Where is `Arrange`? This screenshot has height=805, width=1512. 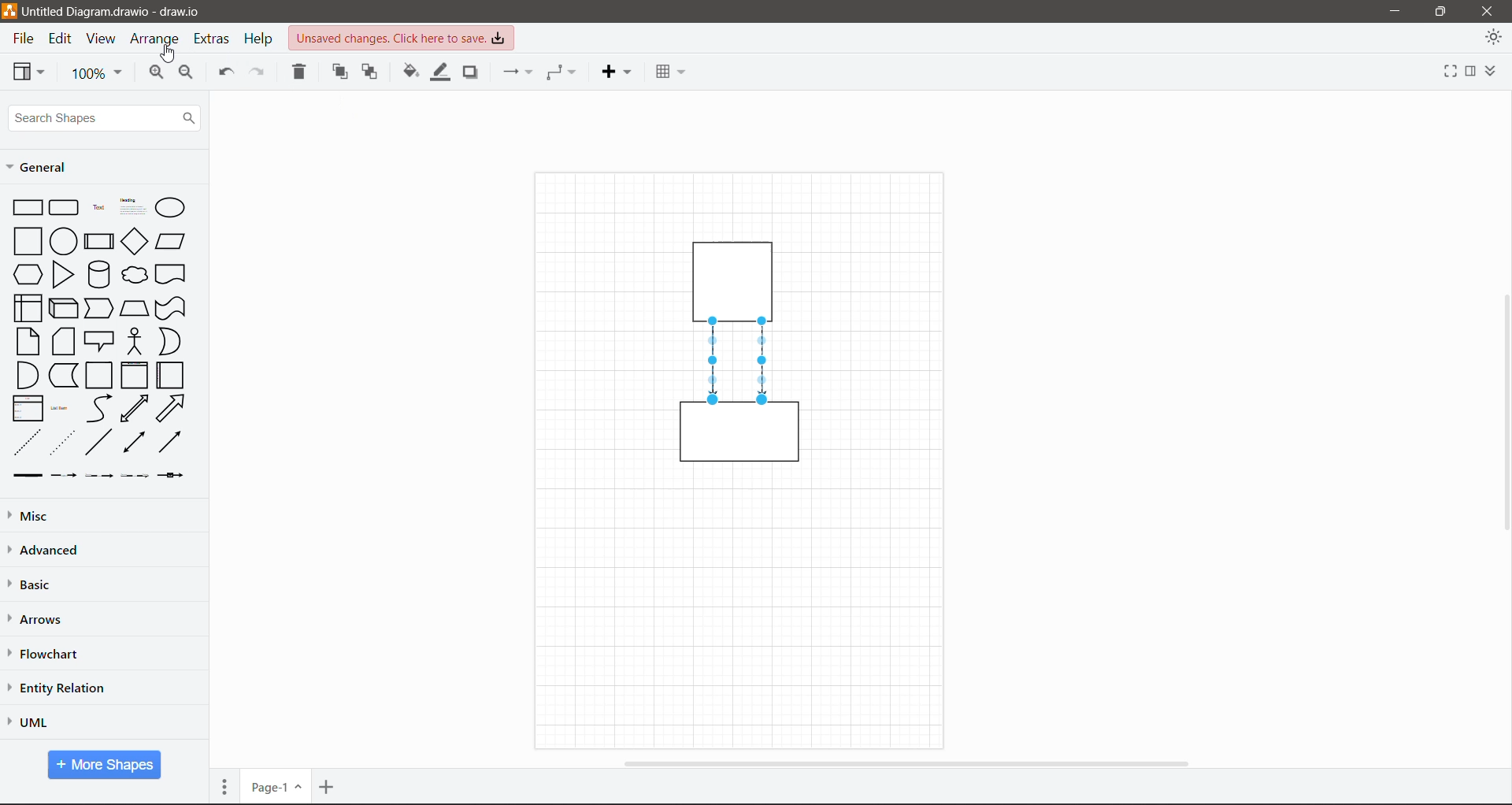 Arrange is located at coordinates (156, 41).